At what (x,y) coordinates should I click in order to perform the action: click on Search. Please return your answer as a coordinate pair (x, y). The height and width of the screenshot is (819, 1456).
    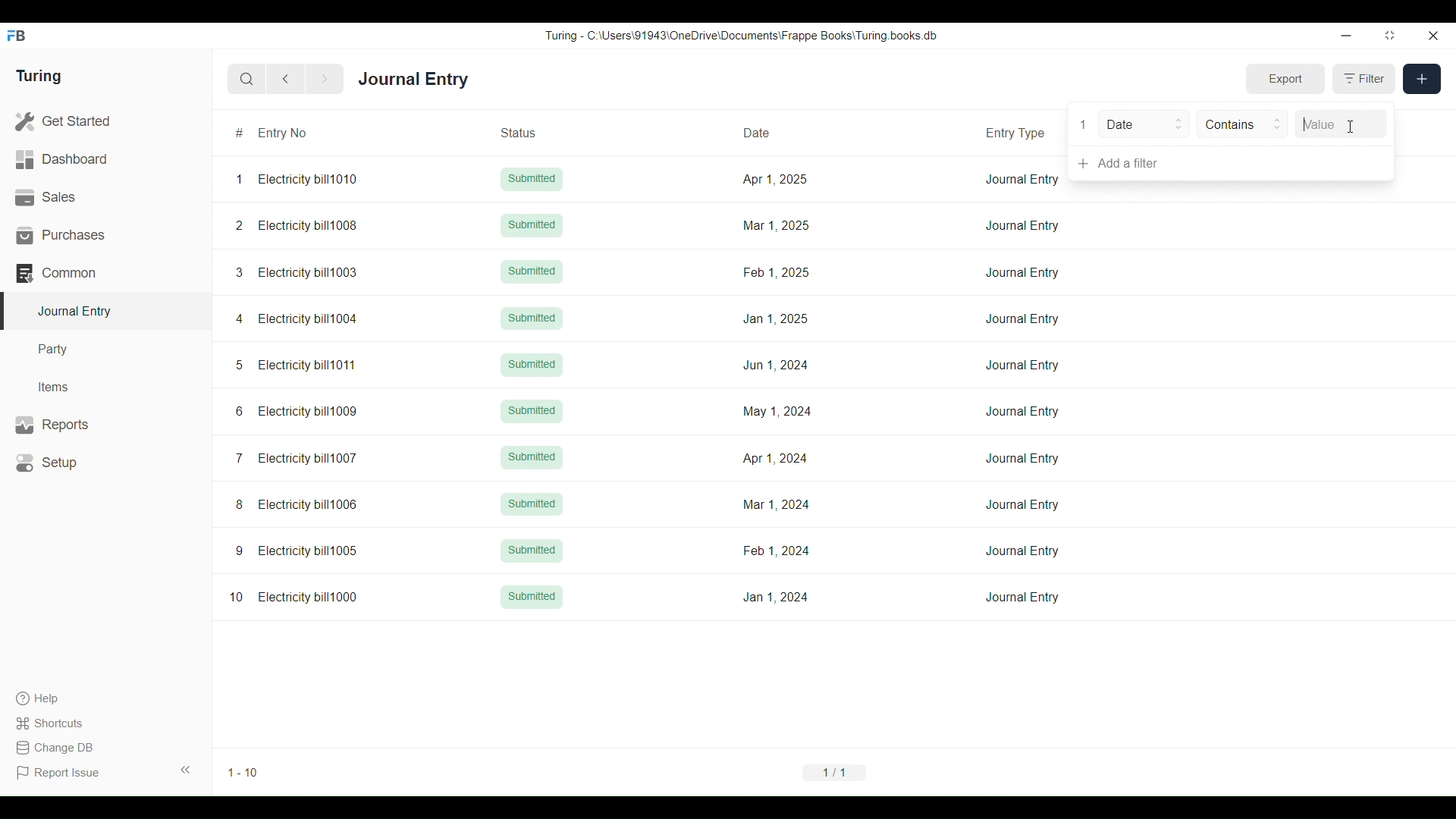
    Looking at the image, I should click on (246, 80).